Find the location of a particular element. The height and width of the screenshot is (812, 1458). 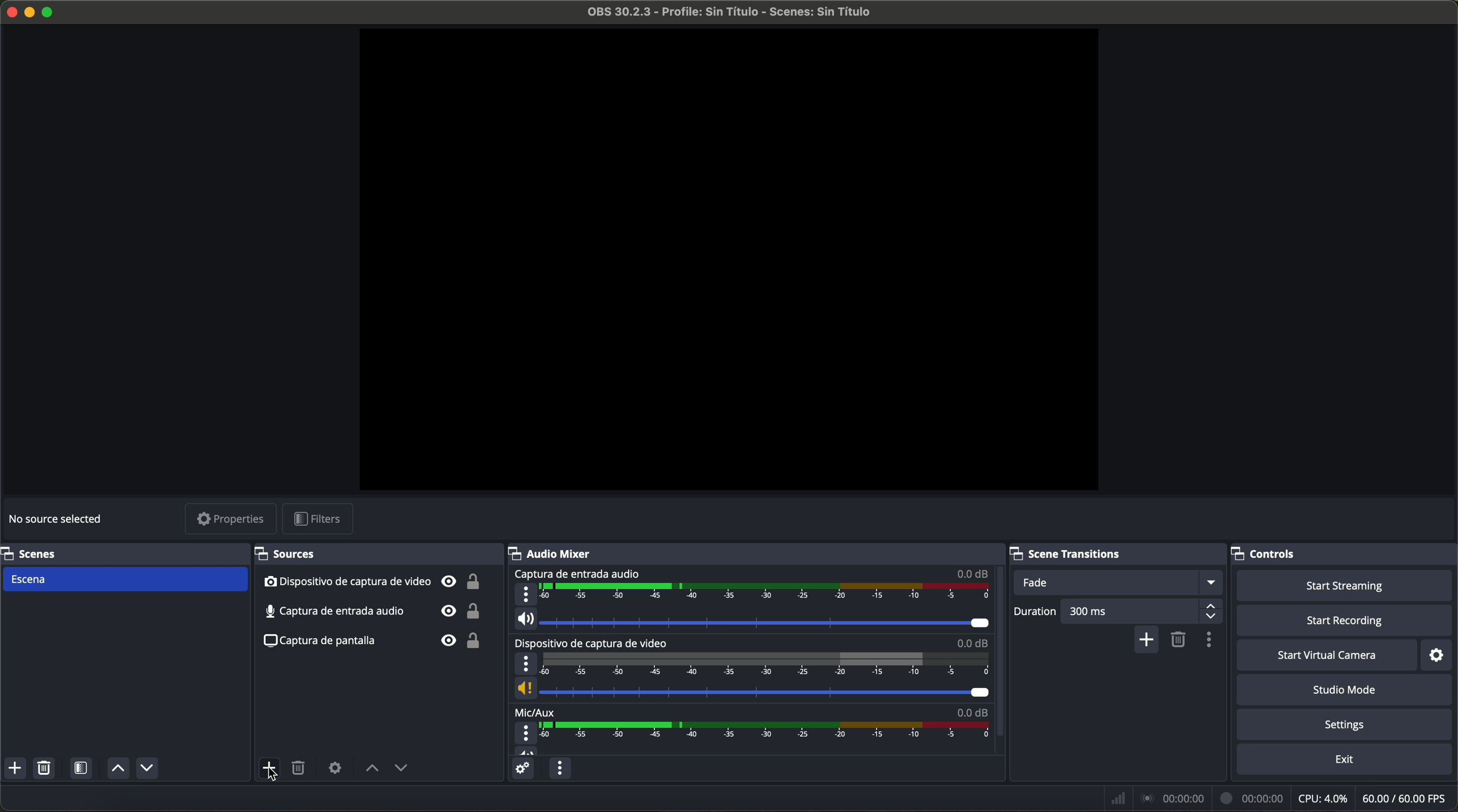

vol is located at coordinates (526, 750).